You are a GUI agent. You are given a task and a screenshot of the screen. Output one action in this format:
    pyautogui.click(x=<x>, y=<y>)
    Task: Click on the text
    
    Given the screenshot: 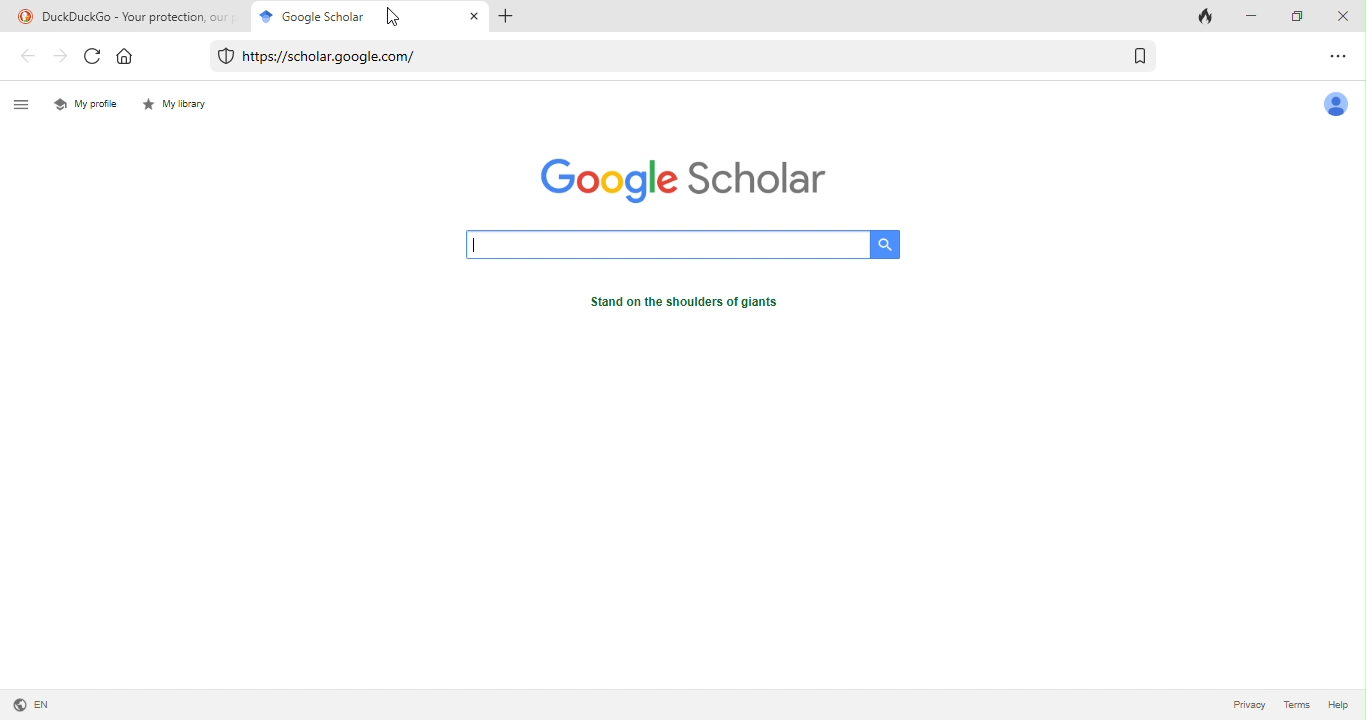 What is the action you would take?
    pyautogui.click(x=694, y=306)
    